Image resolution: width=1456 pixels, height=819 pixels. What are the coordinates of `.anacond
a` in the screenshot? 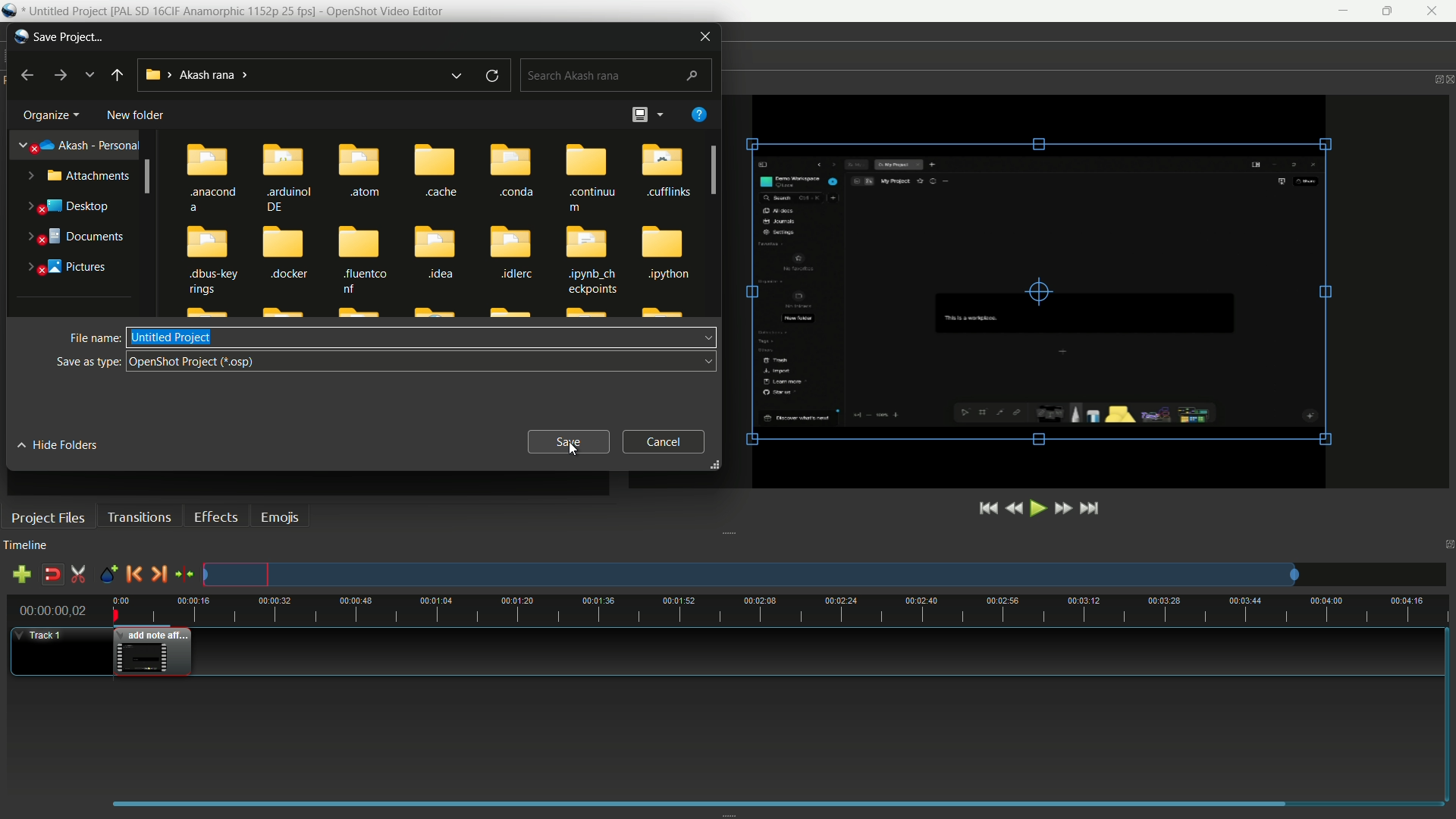 It's located at (206, 175).